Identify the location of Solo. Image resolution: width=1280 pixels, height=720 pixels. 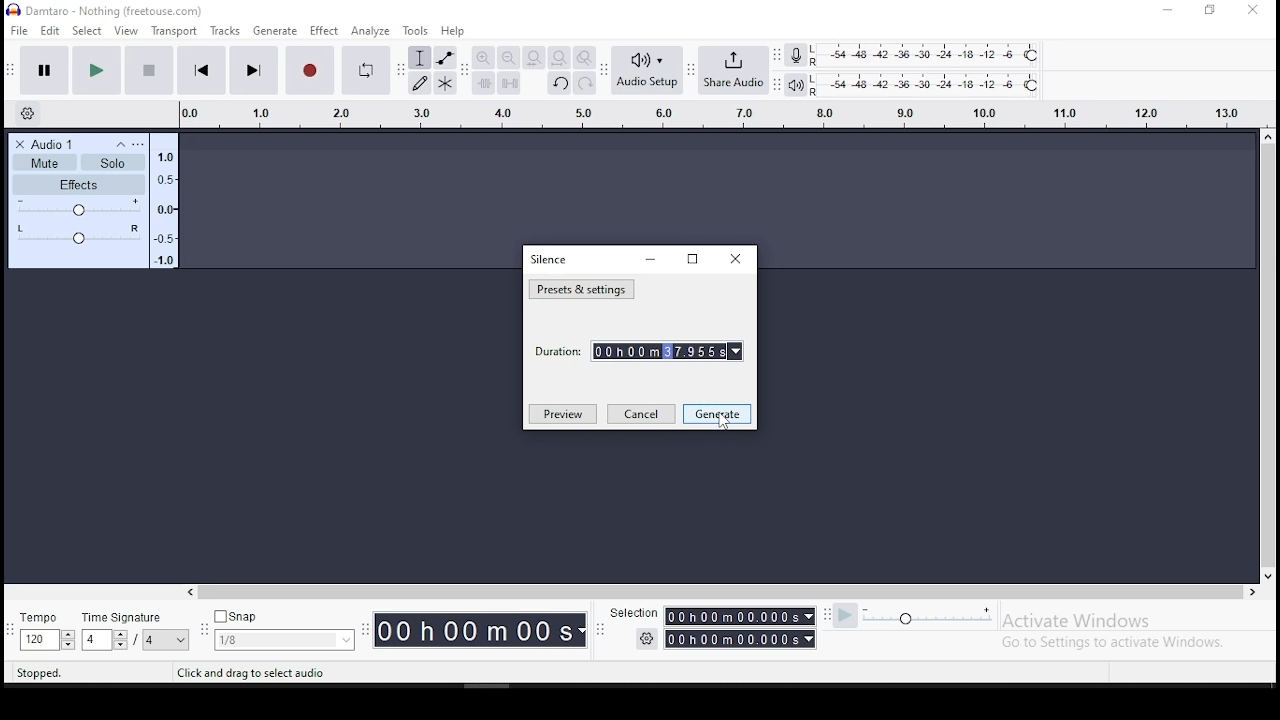
(116, 162).